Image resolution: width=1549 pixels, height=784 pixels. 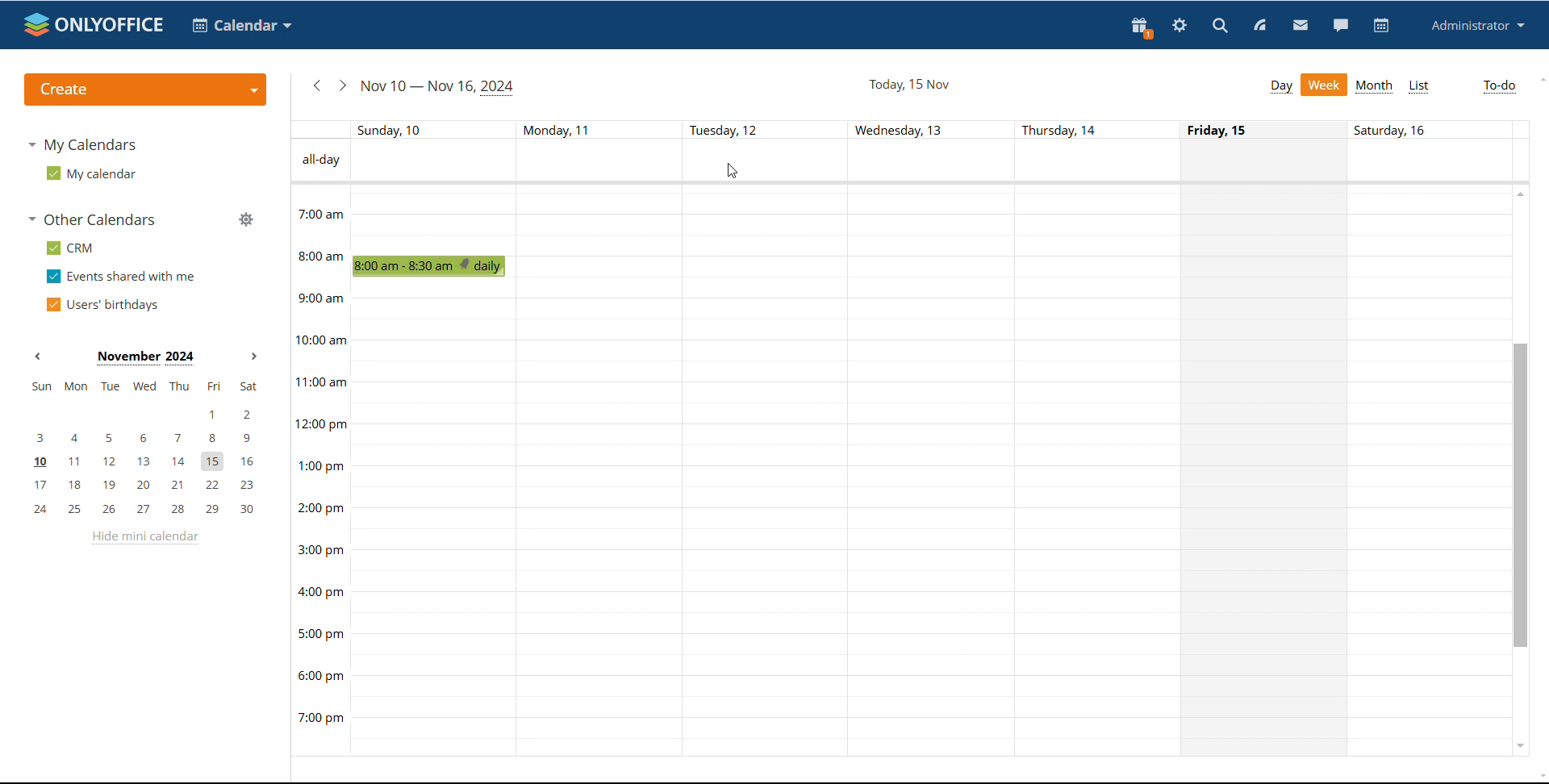 I want to click on day view, so click(x=1280, y=86).